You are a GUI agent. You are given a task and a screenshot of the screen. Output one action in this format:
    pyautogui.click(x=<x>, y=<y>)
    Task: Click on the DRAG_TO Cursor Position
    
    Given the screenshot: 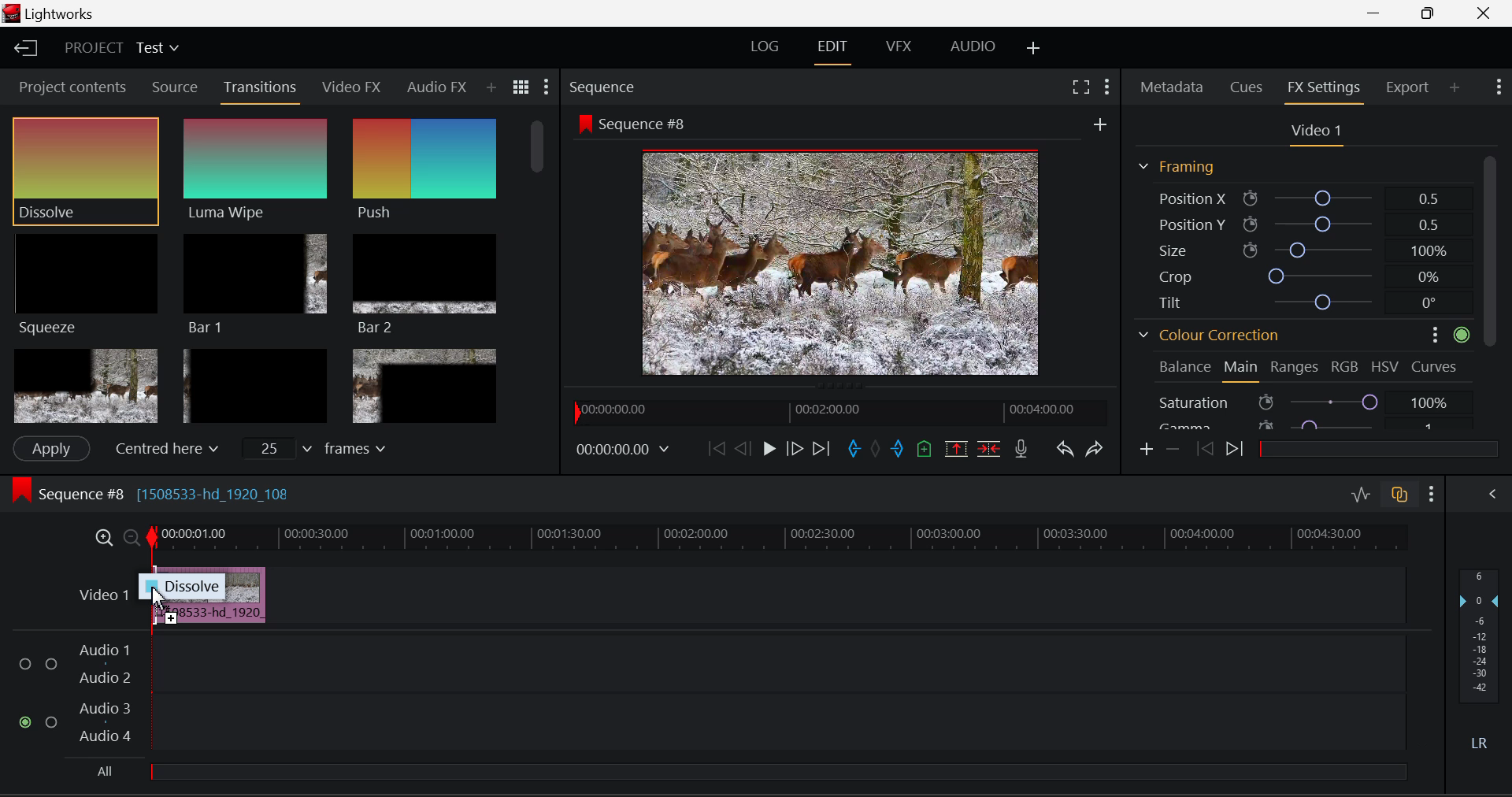 What is the action you would take?
    pyautogui.click(x=161, y=605)
    